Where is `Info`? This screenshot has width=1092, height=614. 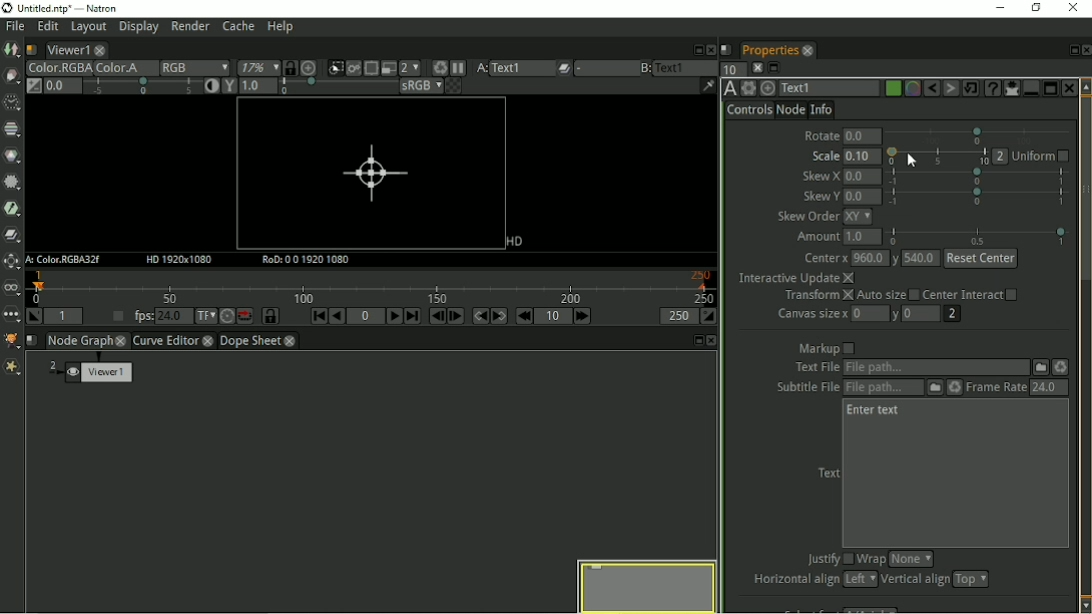 Info is located at coordinates (823, 110).